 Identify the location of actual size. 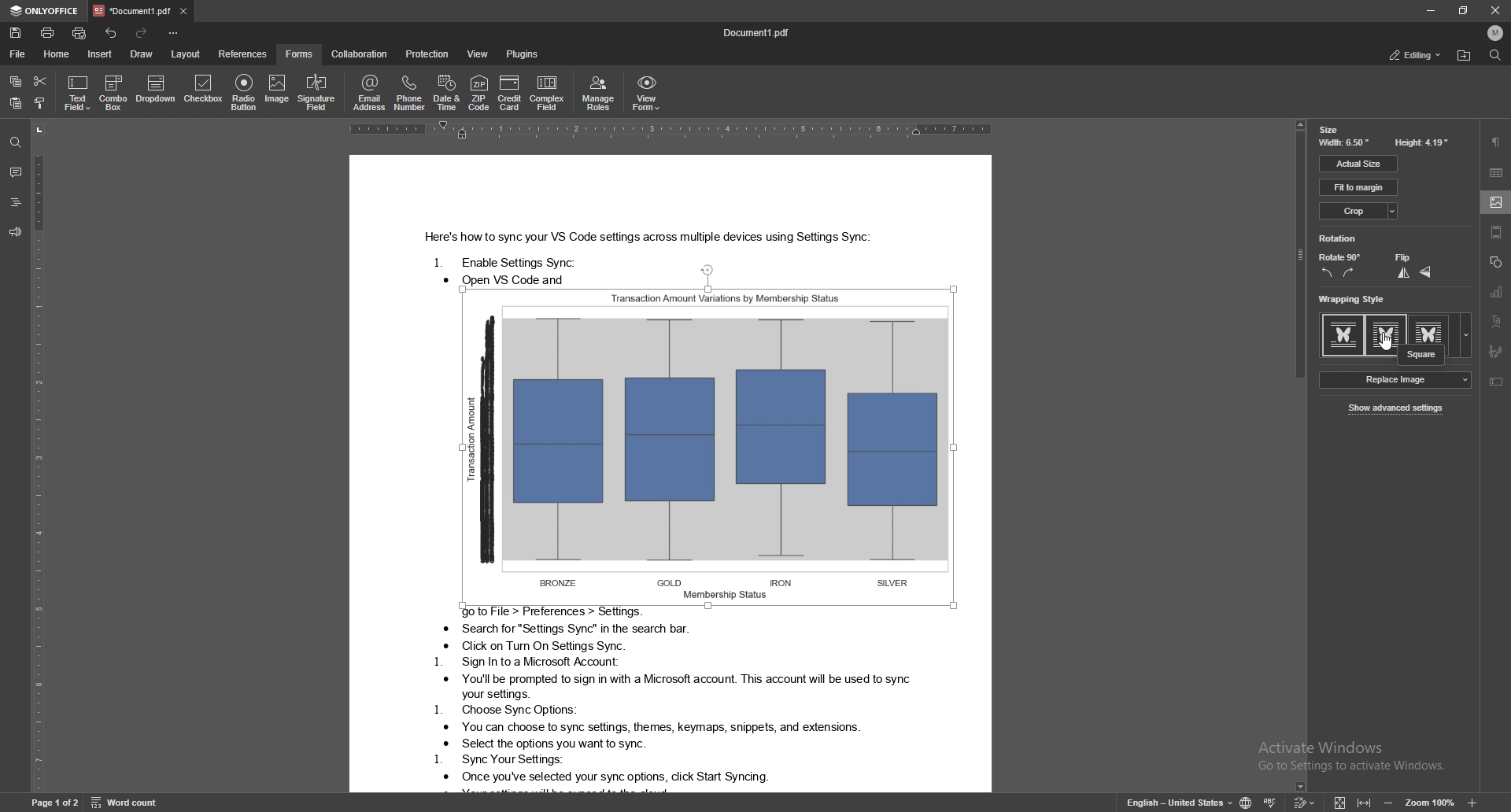
(1358, 164).